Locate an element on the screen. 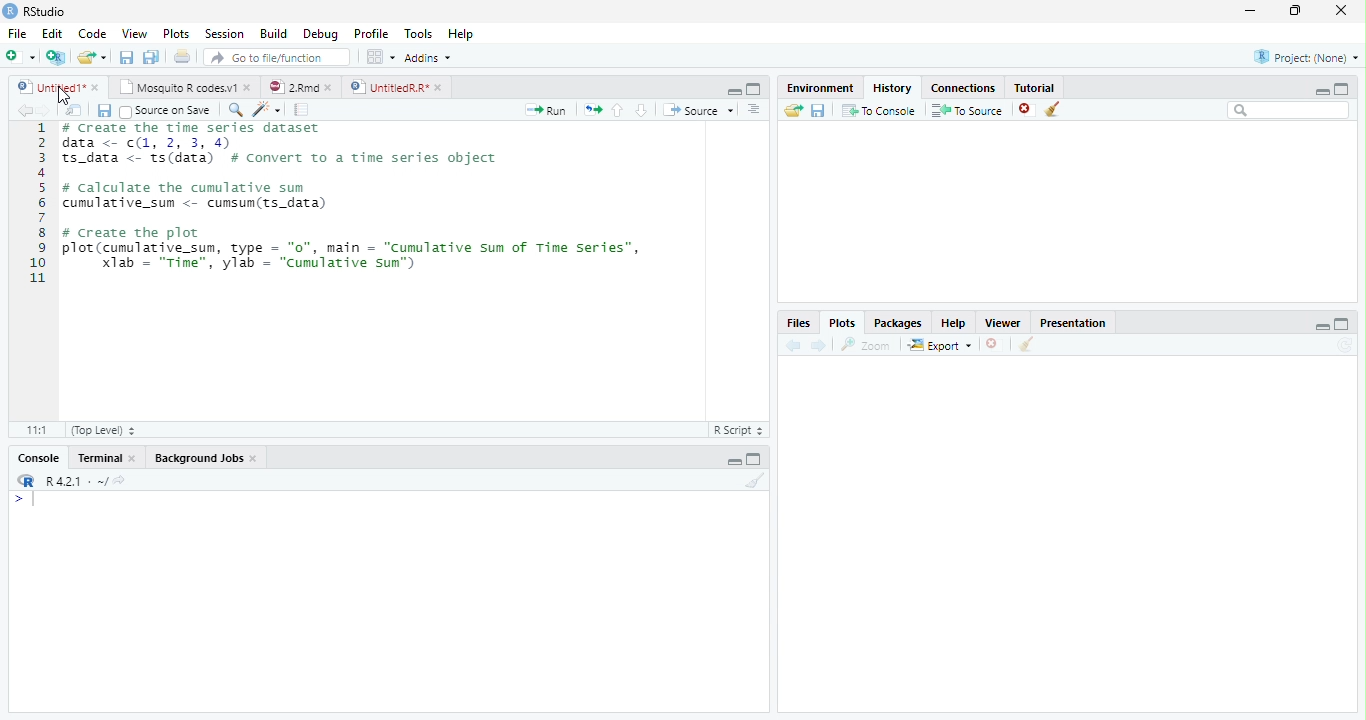  New file is located at coordinates (20, 56).